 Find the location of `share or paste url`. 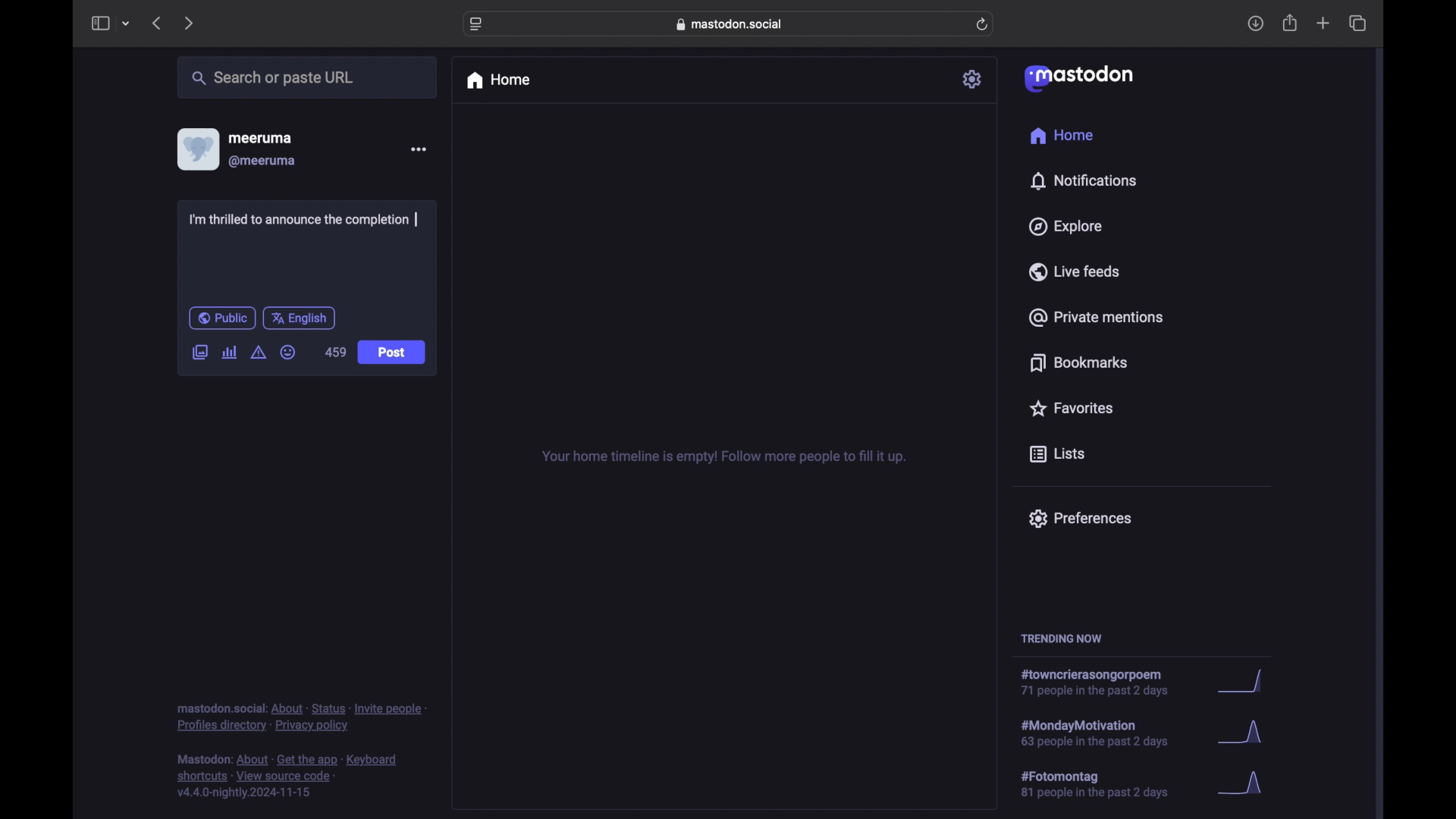

share or paste url is located at coordinates (273, 77).